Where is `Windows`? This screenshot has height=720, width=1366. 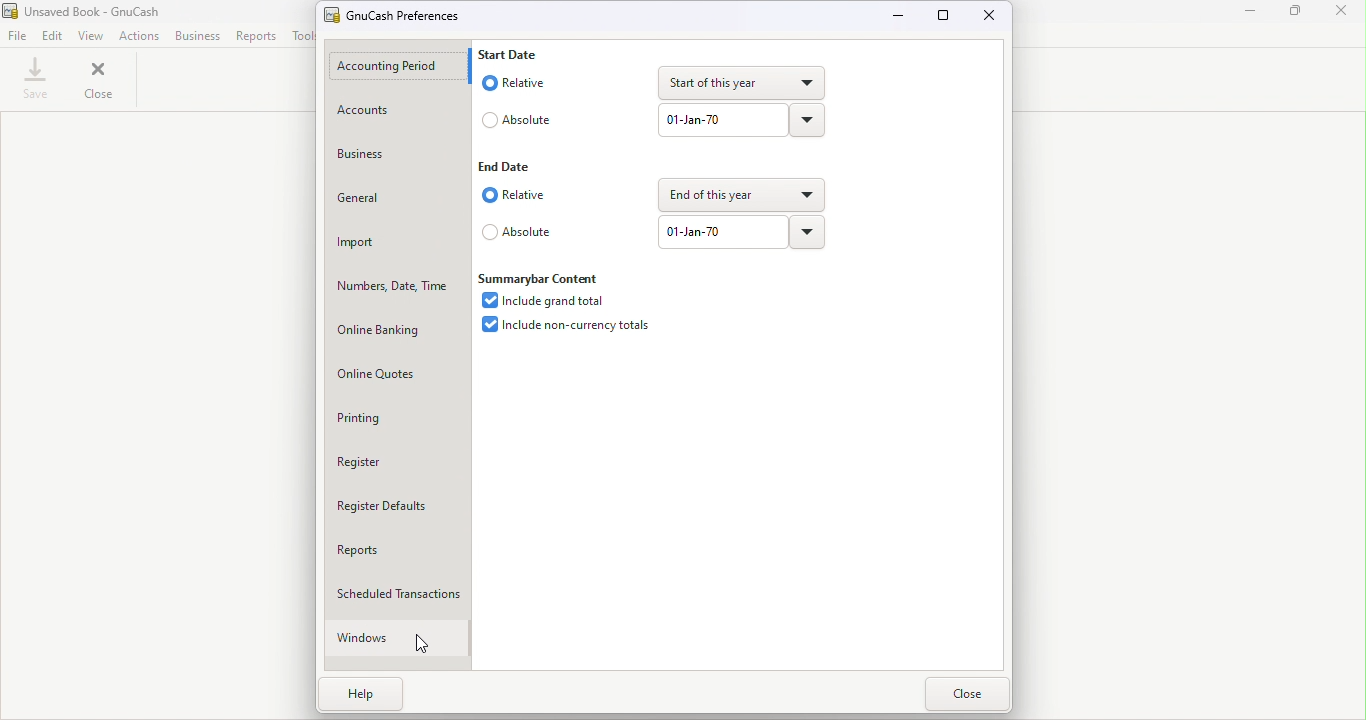 Windows is located at coordinates (393, 638).